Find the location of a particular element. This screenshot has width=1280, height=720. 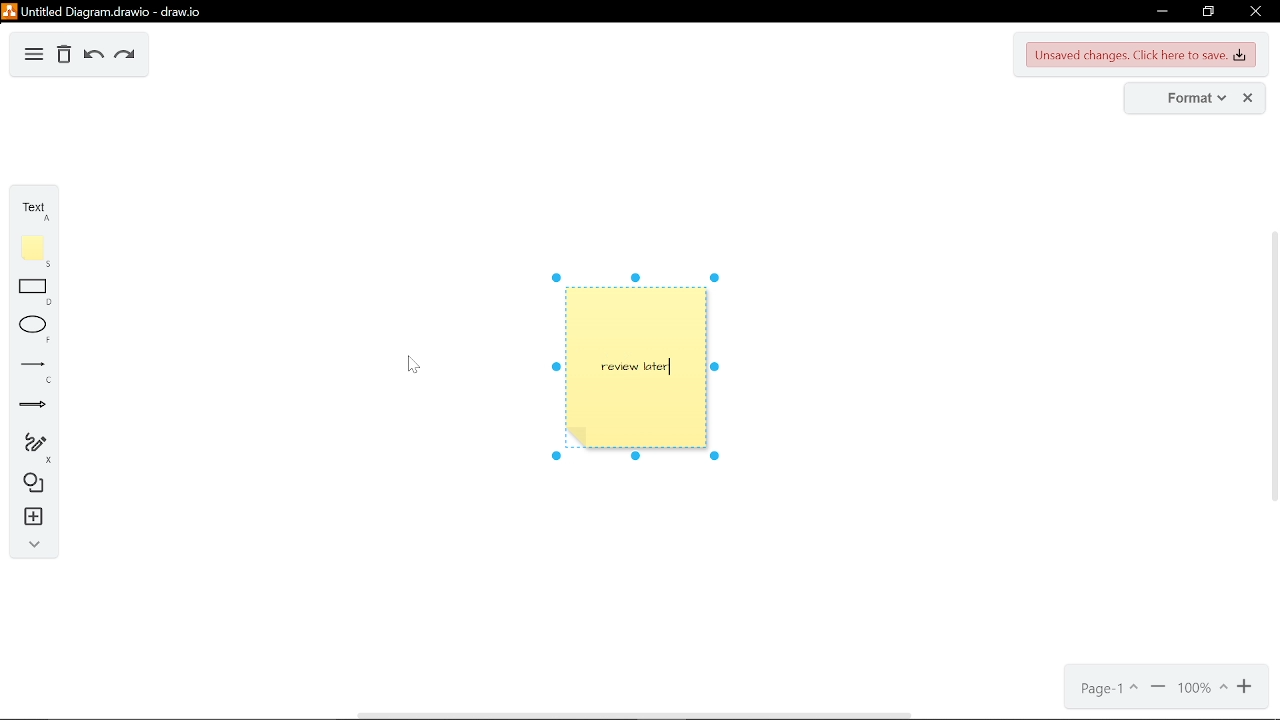

redo is located at coordinates (124, 57).